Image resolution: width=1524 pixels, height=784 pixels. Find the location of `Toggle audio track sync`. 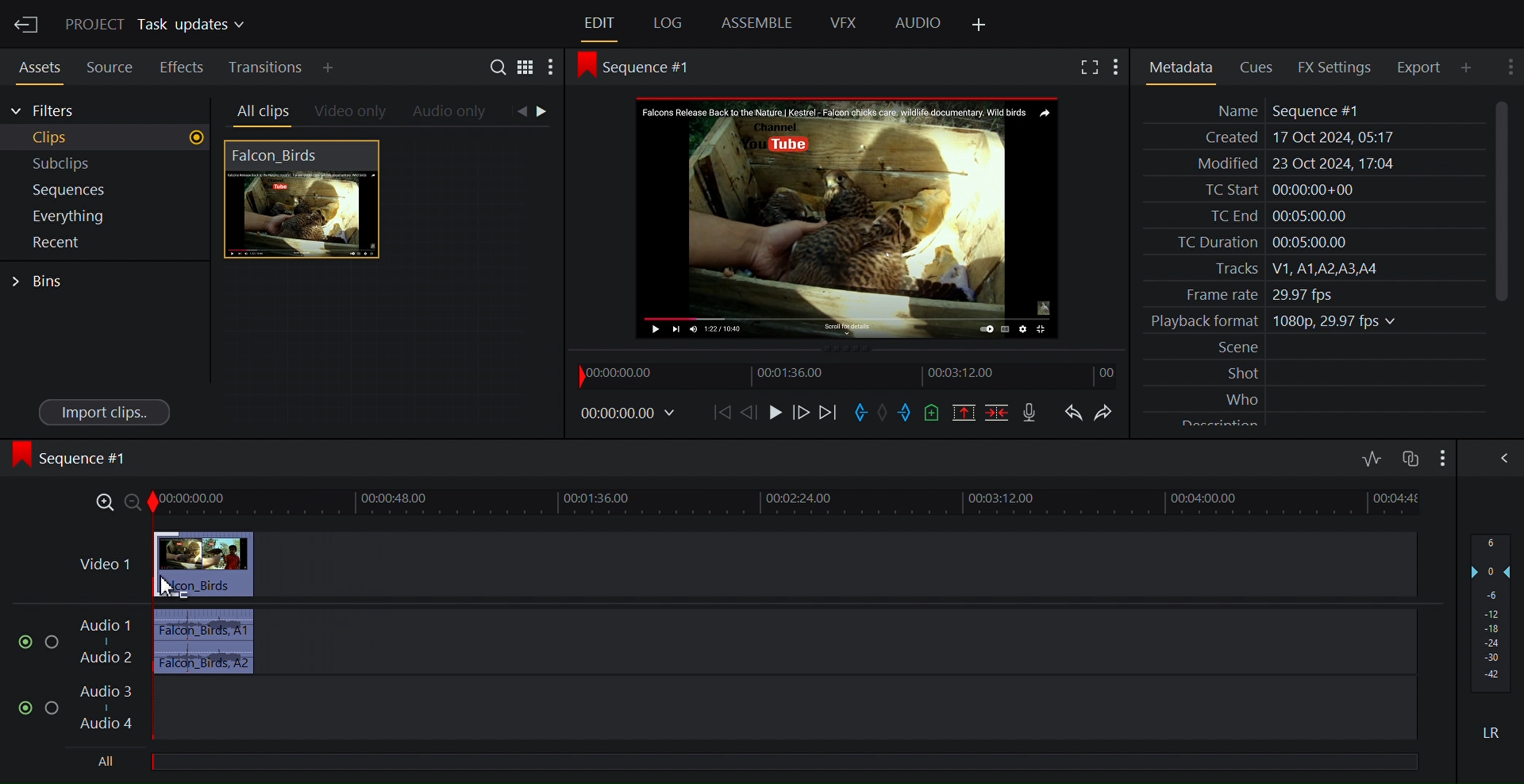

Toggle audio track sync is located at coordinates (1409, 459).